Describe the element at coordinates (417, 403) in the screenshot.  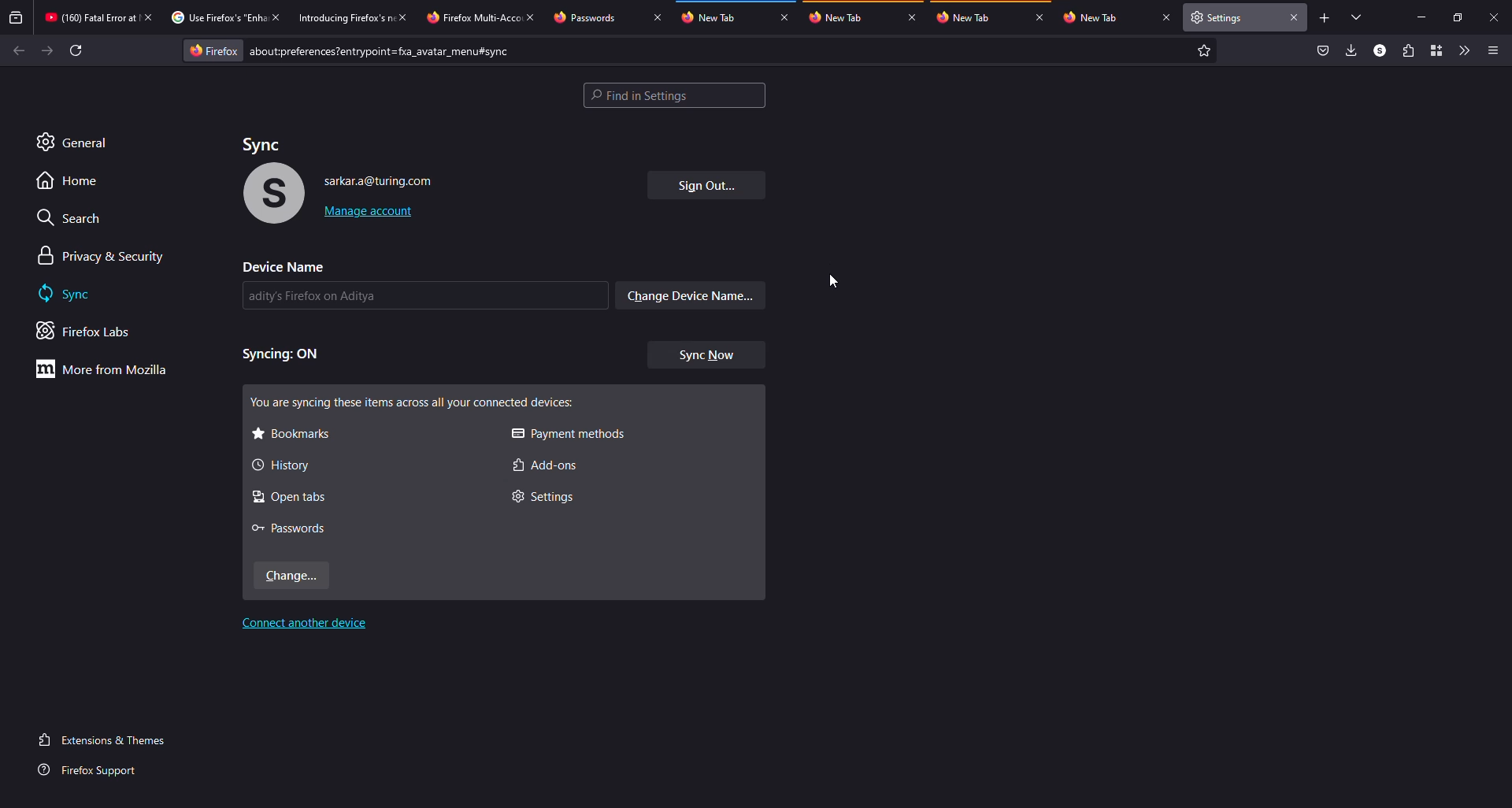
I see `syncing all these` at that location.